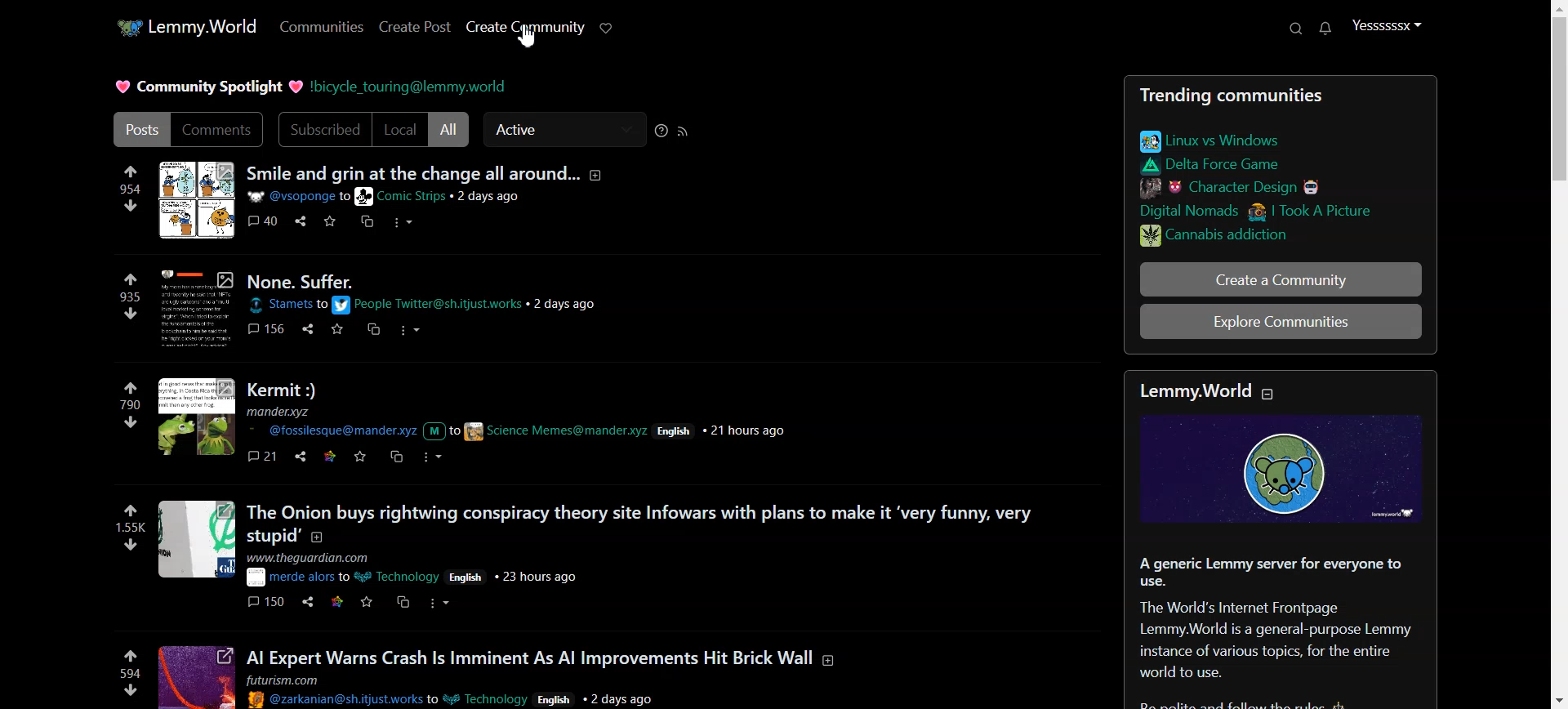  What do you see at coordinates (131, 189) in the screenshot?
I see `number` at bounding box center [131, 189].